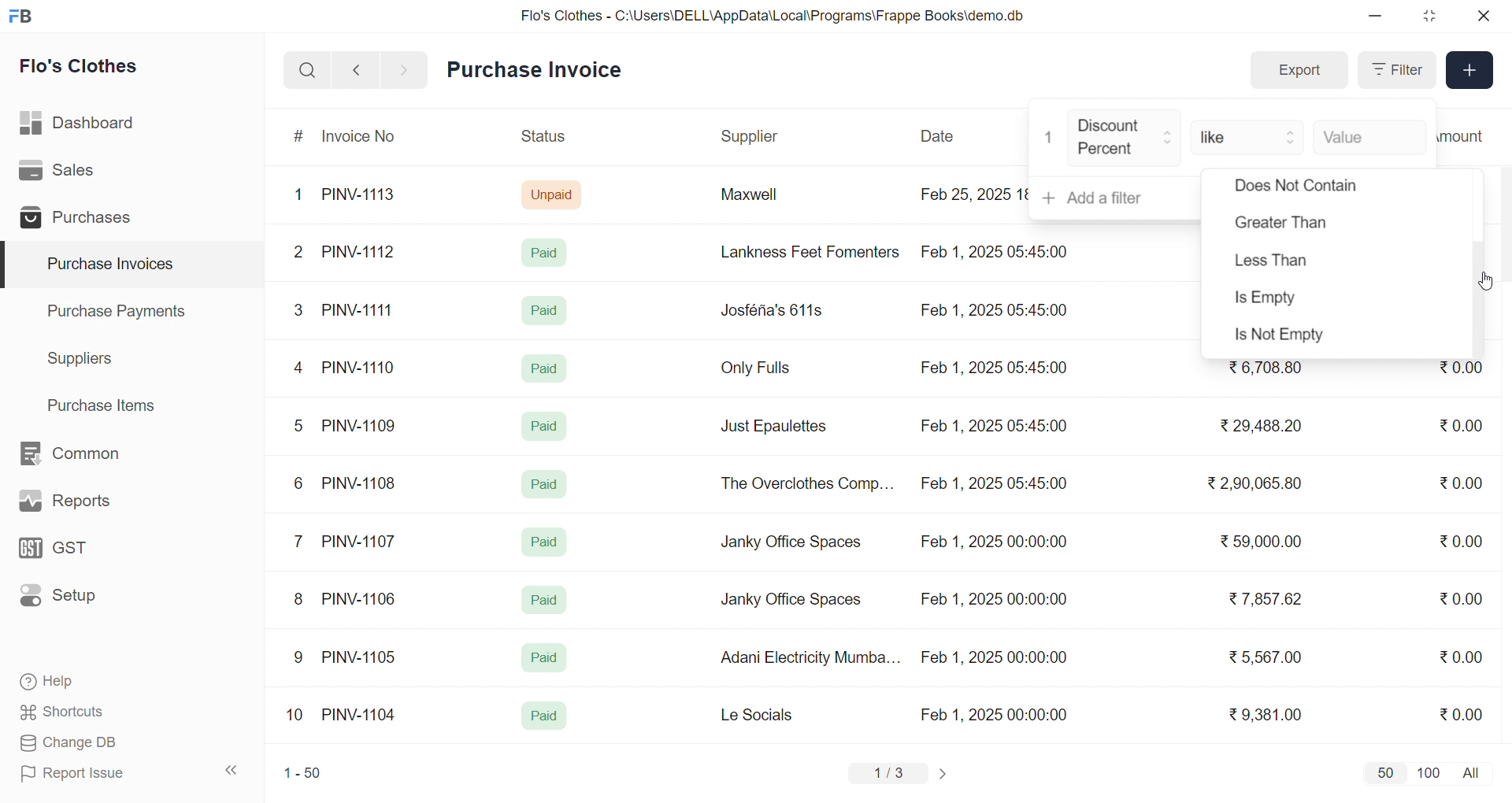  I want to click on ₹0.00, so click(1452, 426).